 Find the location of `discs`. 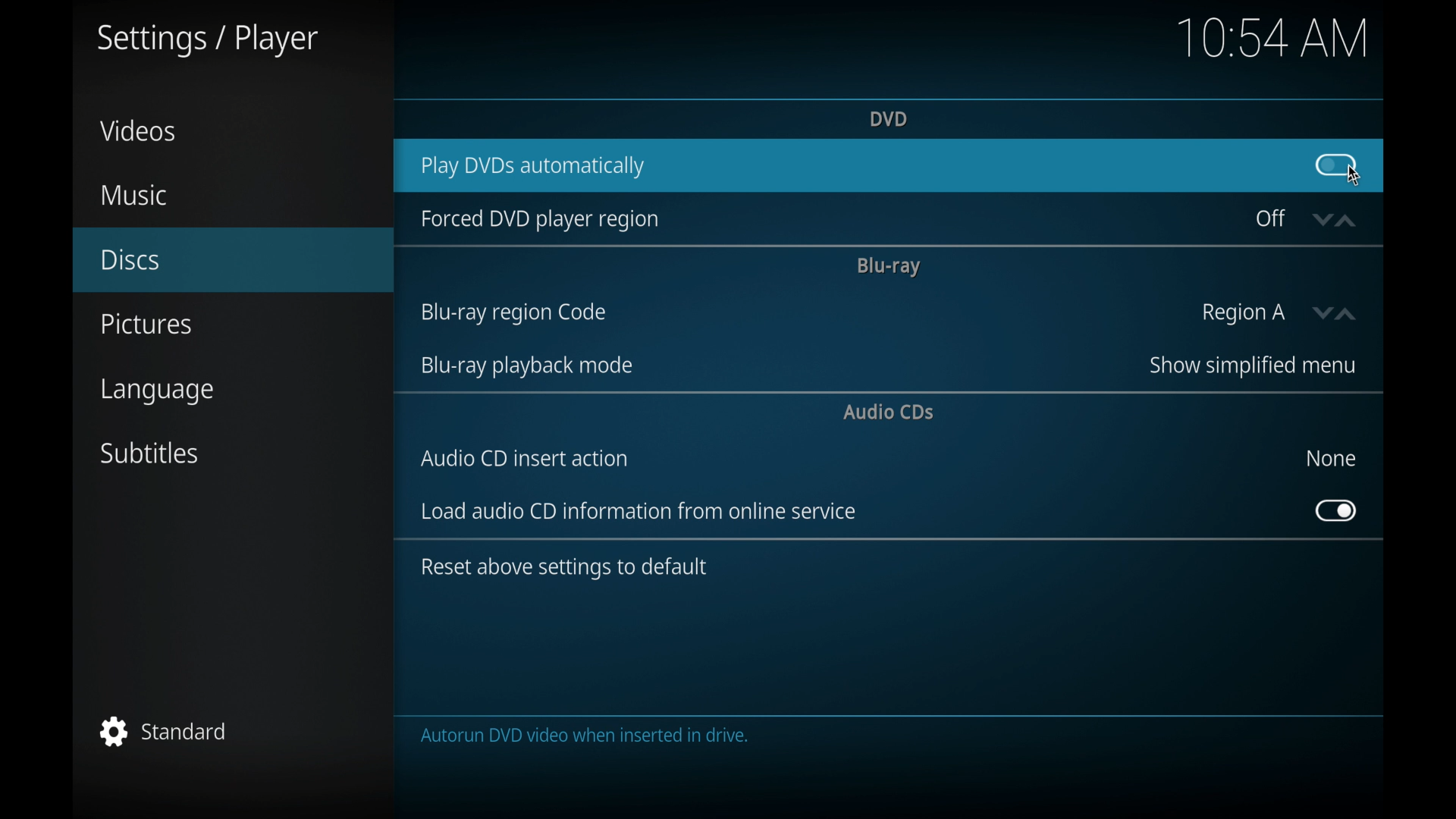

discs is located at coordinates (130, 260).